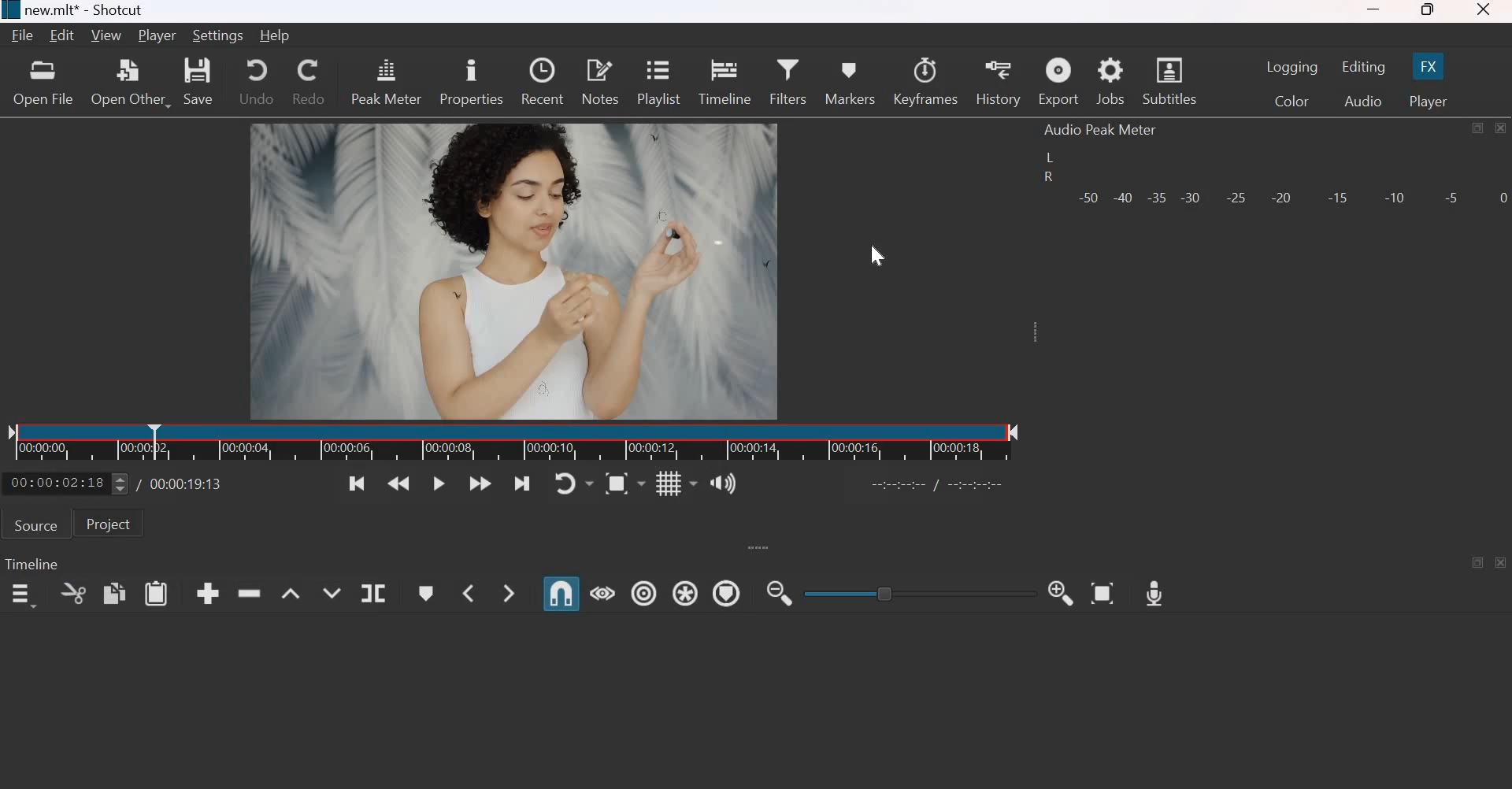 This screenshot has width=1512, height=789. Describe the element at coordinates (276, 37) in the screenshot. I see `Help` at that location.